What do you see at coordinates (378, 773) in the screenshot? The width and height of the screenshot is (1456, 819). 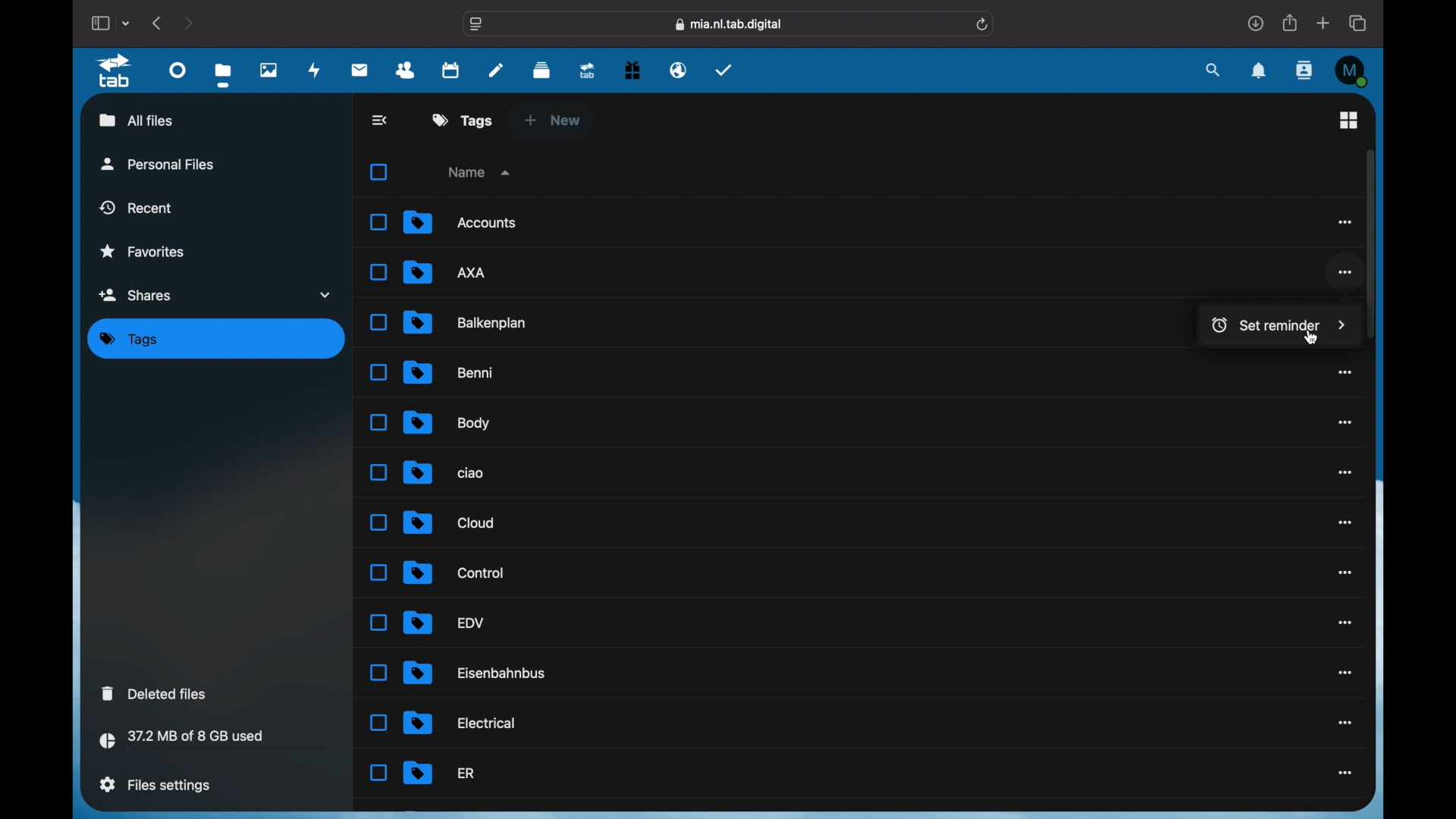 I see `Unselected Checkbox` at bounding box center [378, 773].